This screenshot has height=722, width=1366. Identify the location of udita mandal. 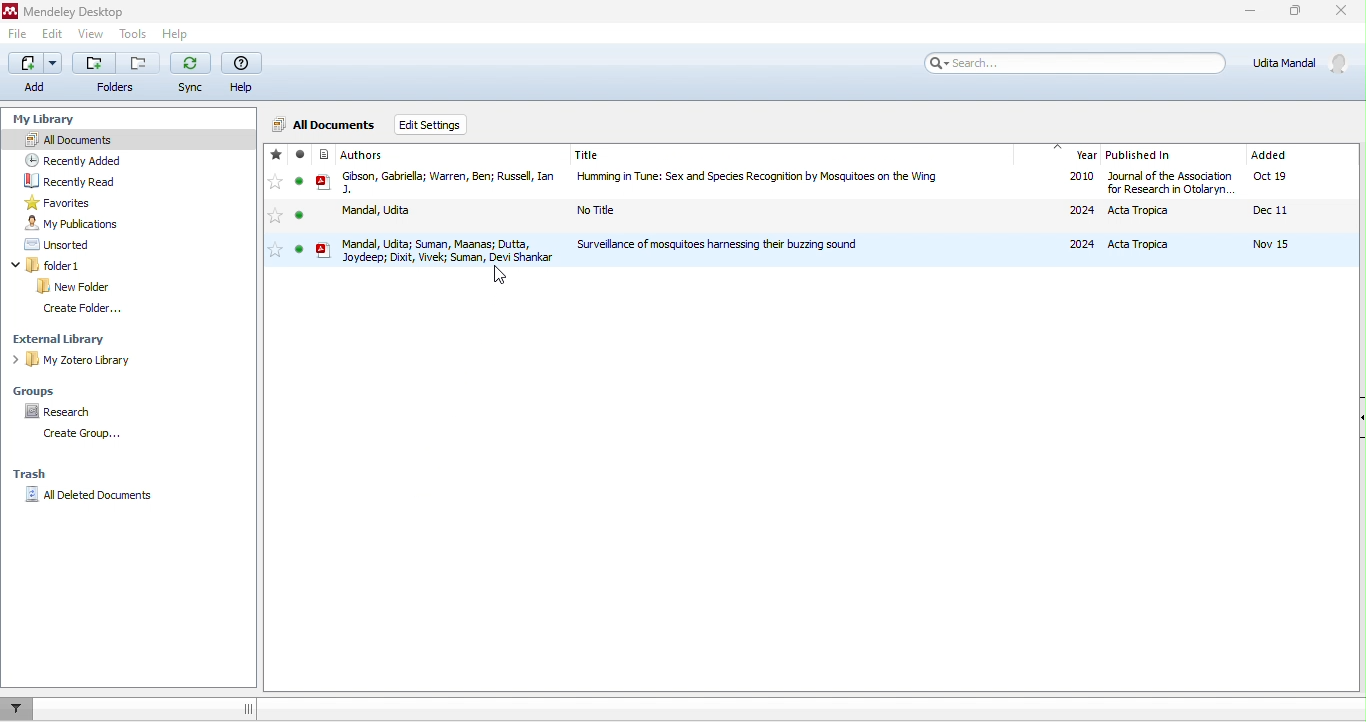
(1296, 63).